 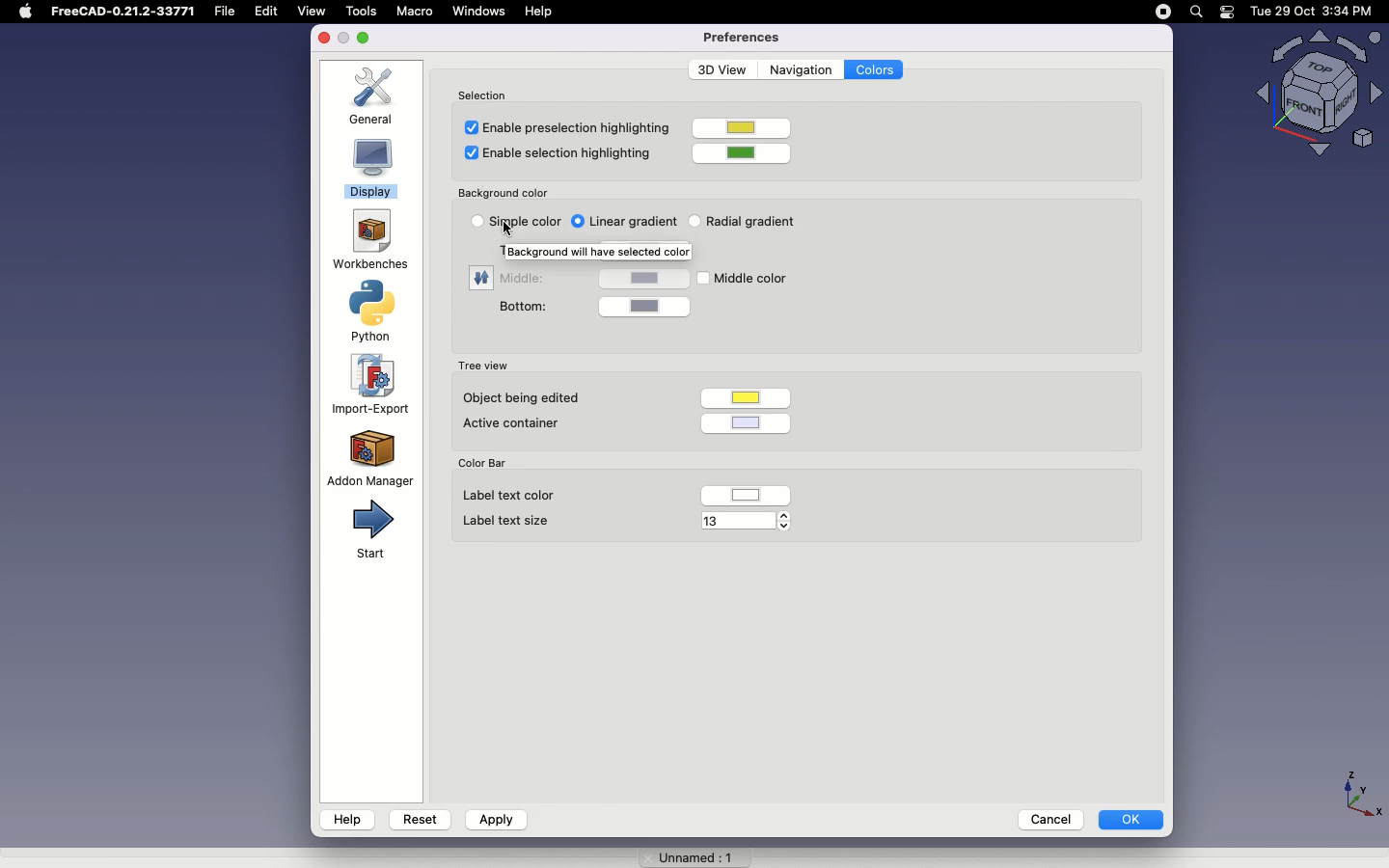 I want to click on 13, so click(x=736, y=525).